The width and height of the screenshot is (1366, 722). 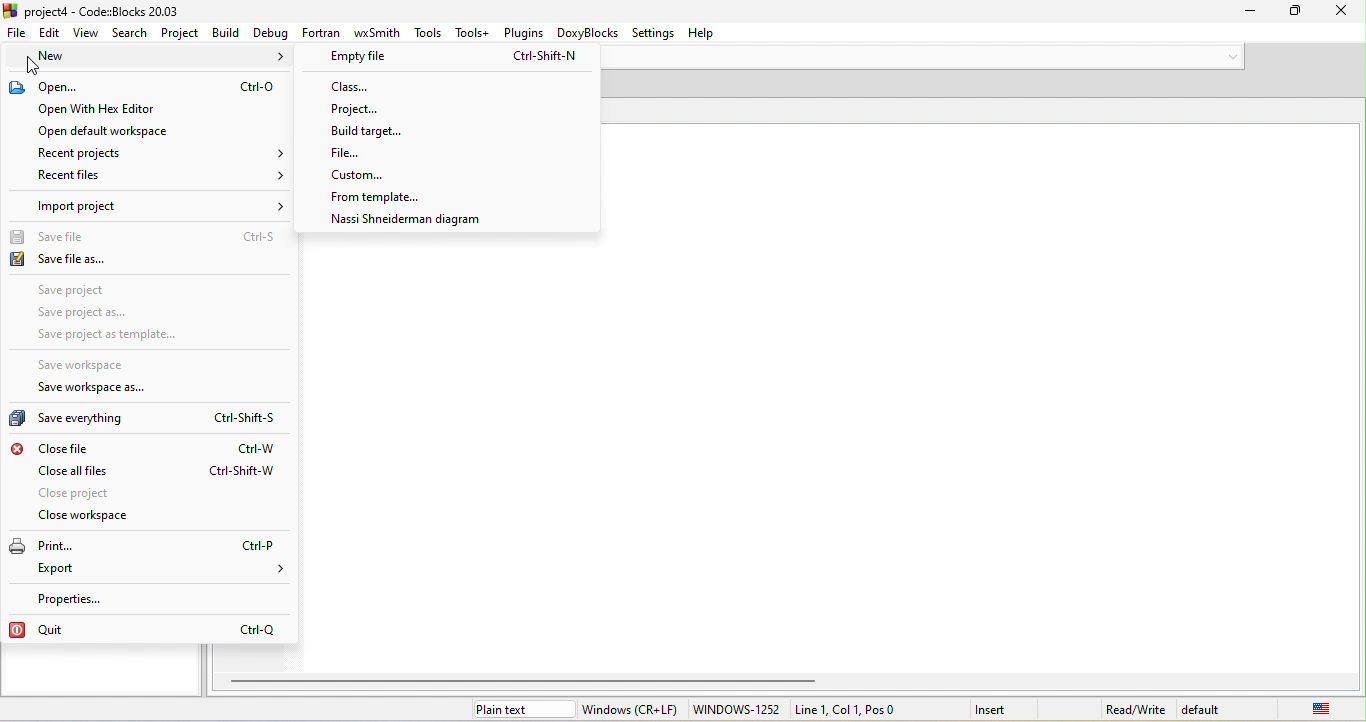 What do you see at coordinates (631, 709) in the screenshot?
I see `window` at bounding box center [631, 709].